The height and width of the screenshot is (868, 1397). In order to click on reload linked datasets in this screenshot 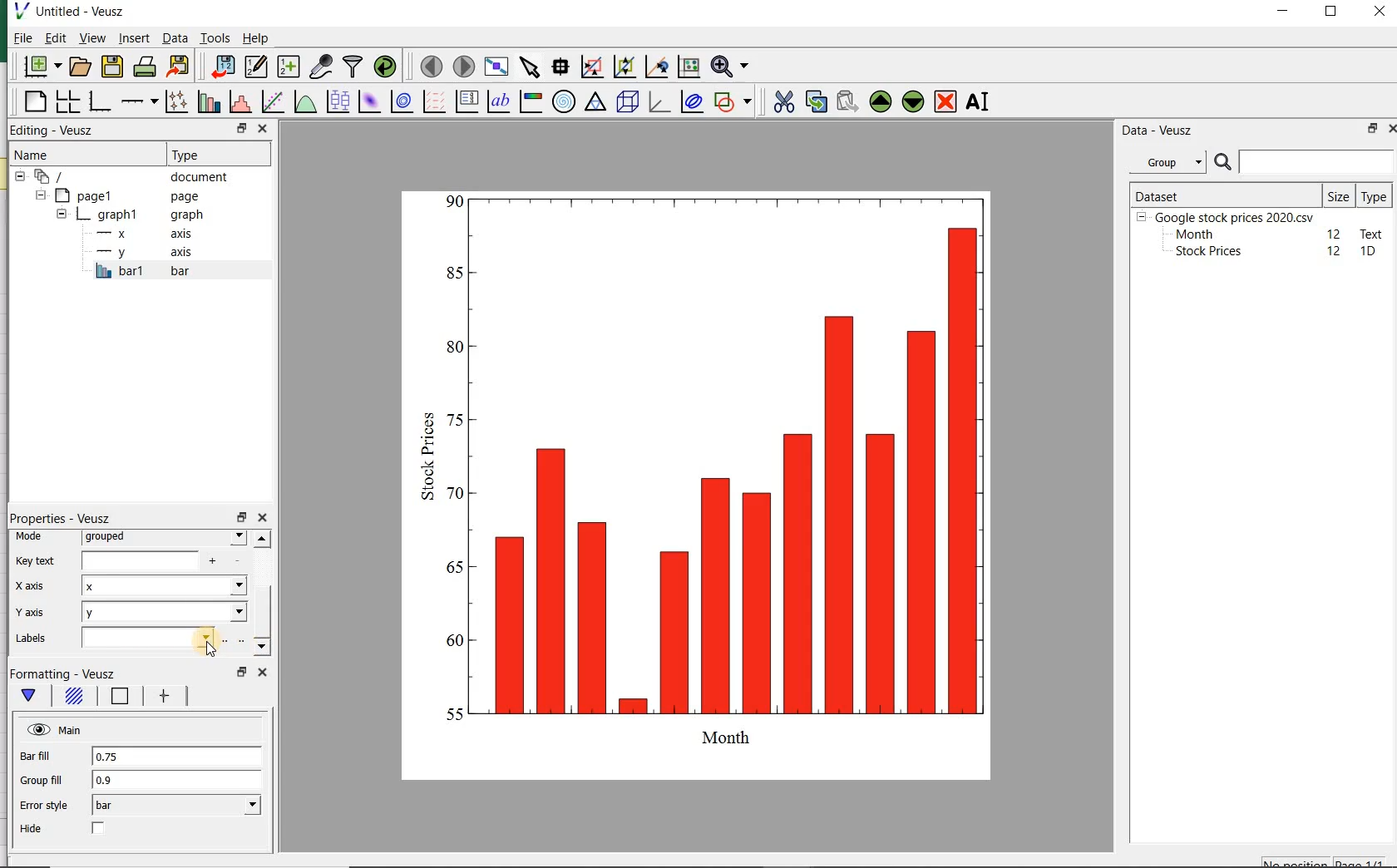, I will do `click(388, 67)`.